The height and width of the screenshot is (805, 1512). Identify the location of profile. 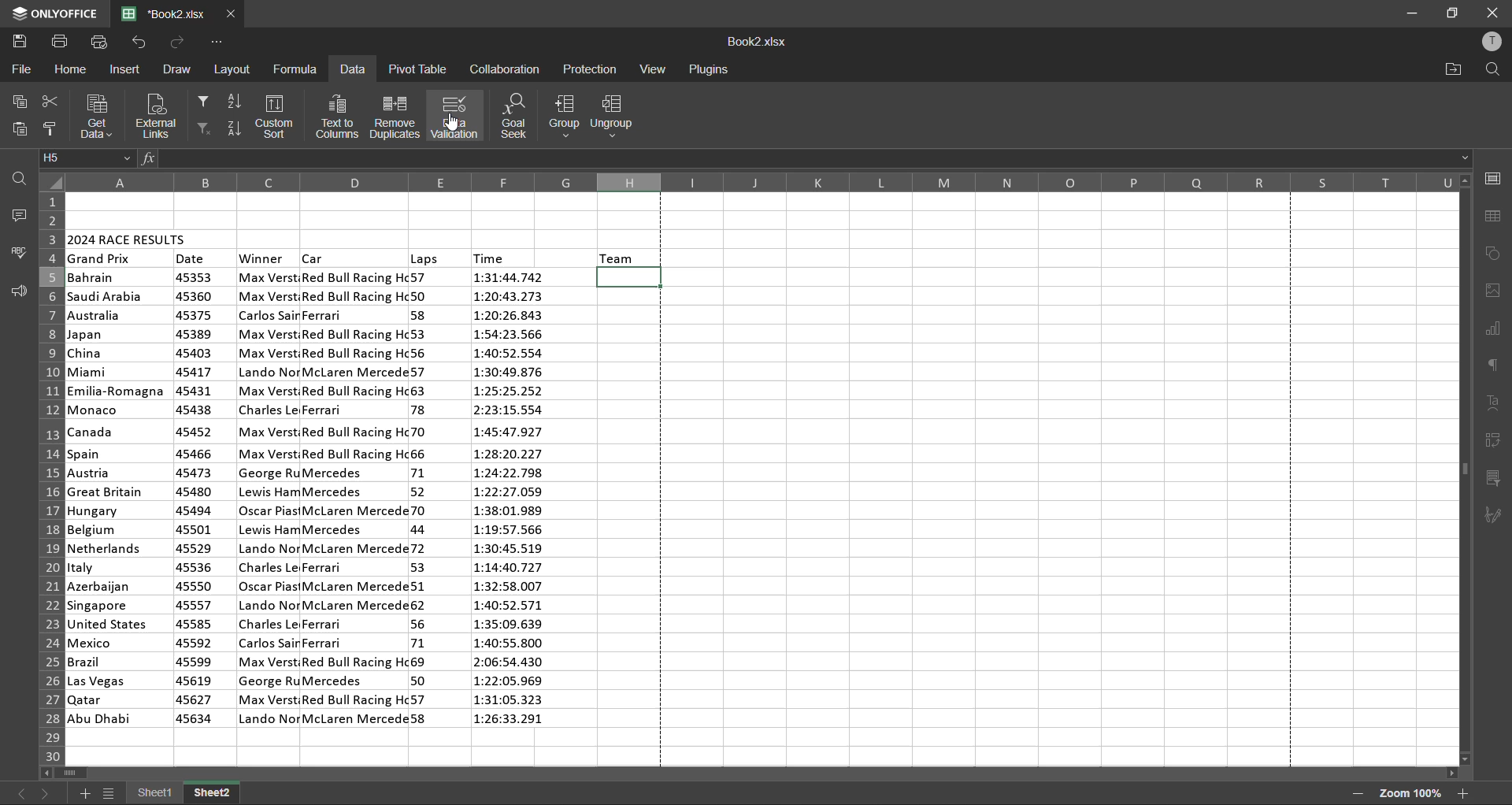
(1491, 44).